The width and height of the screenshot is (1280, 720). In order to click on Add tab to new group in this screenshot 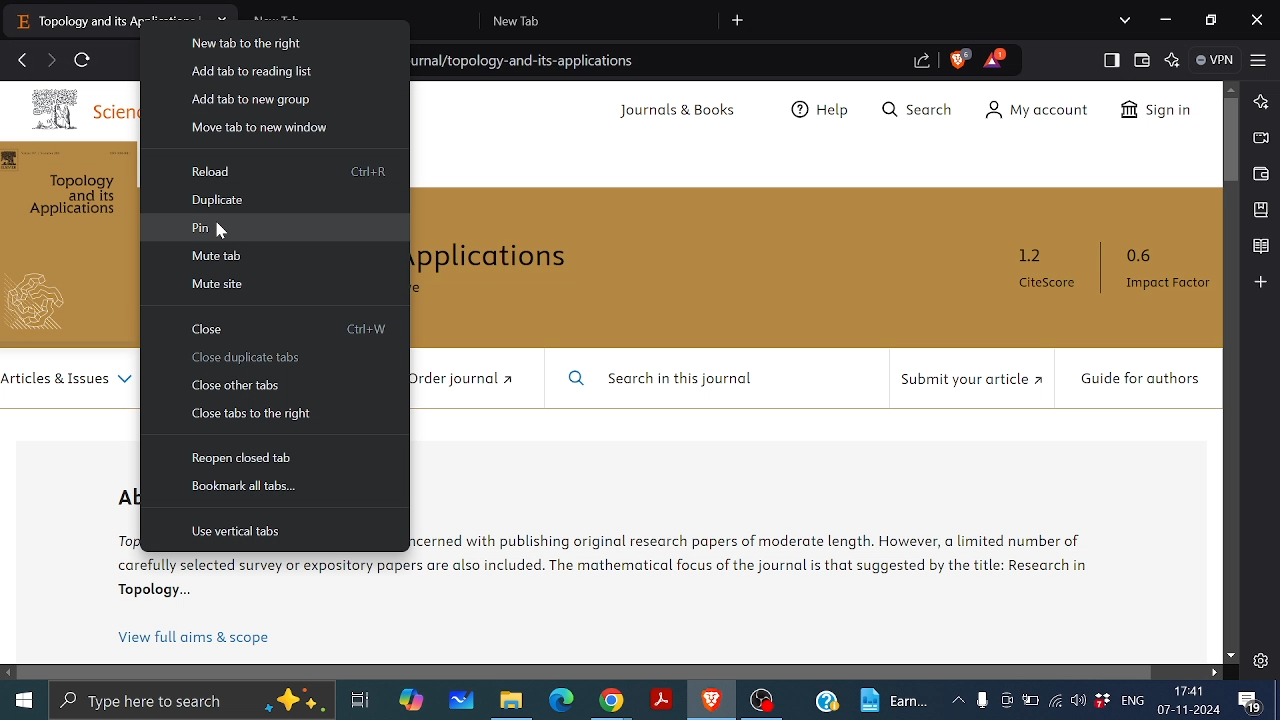, I will do `click(248, 99)`.